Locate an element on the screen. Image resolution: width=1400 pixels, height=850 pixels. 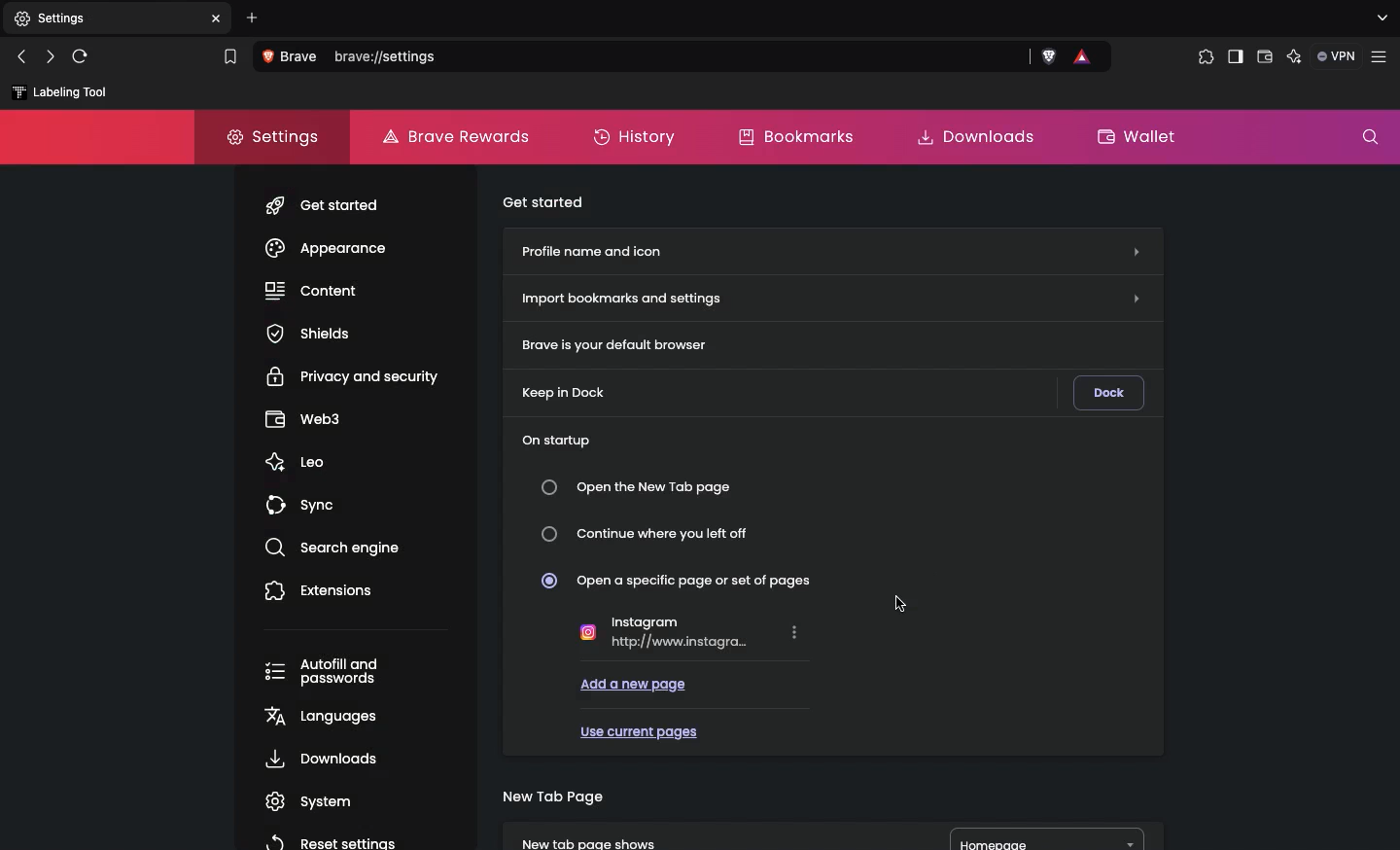
Brave rewards is located at coordinates (459, 136).